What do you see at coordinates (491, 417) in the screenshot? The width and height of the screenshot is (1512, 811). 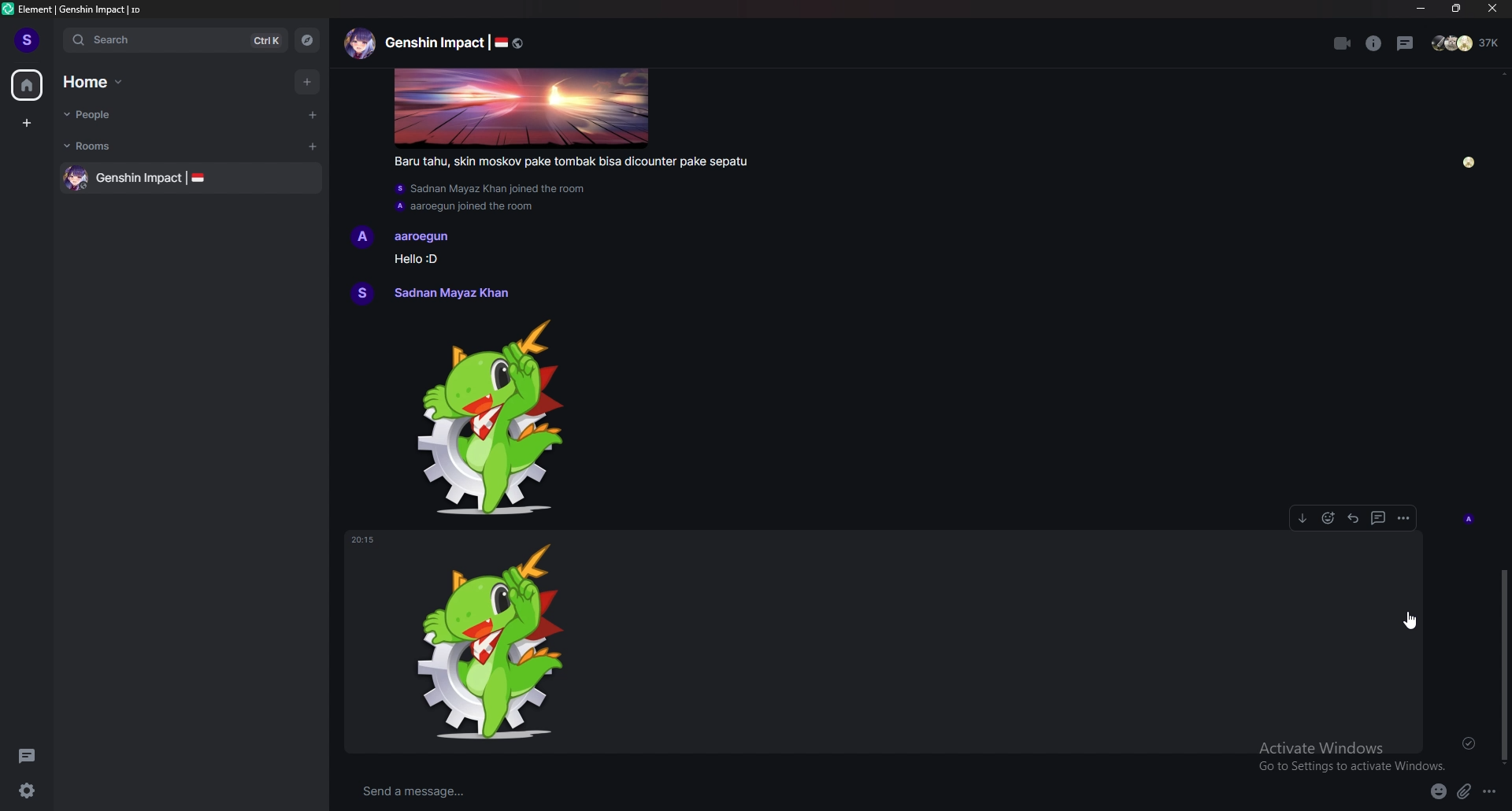 I see `Kongi admins sticker` at bounding box center [491, 417].